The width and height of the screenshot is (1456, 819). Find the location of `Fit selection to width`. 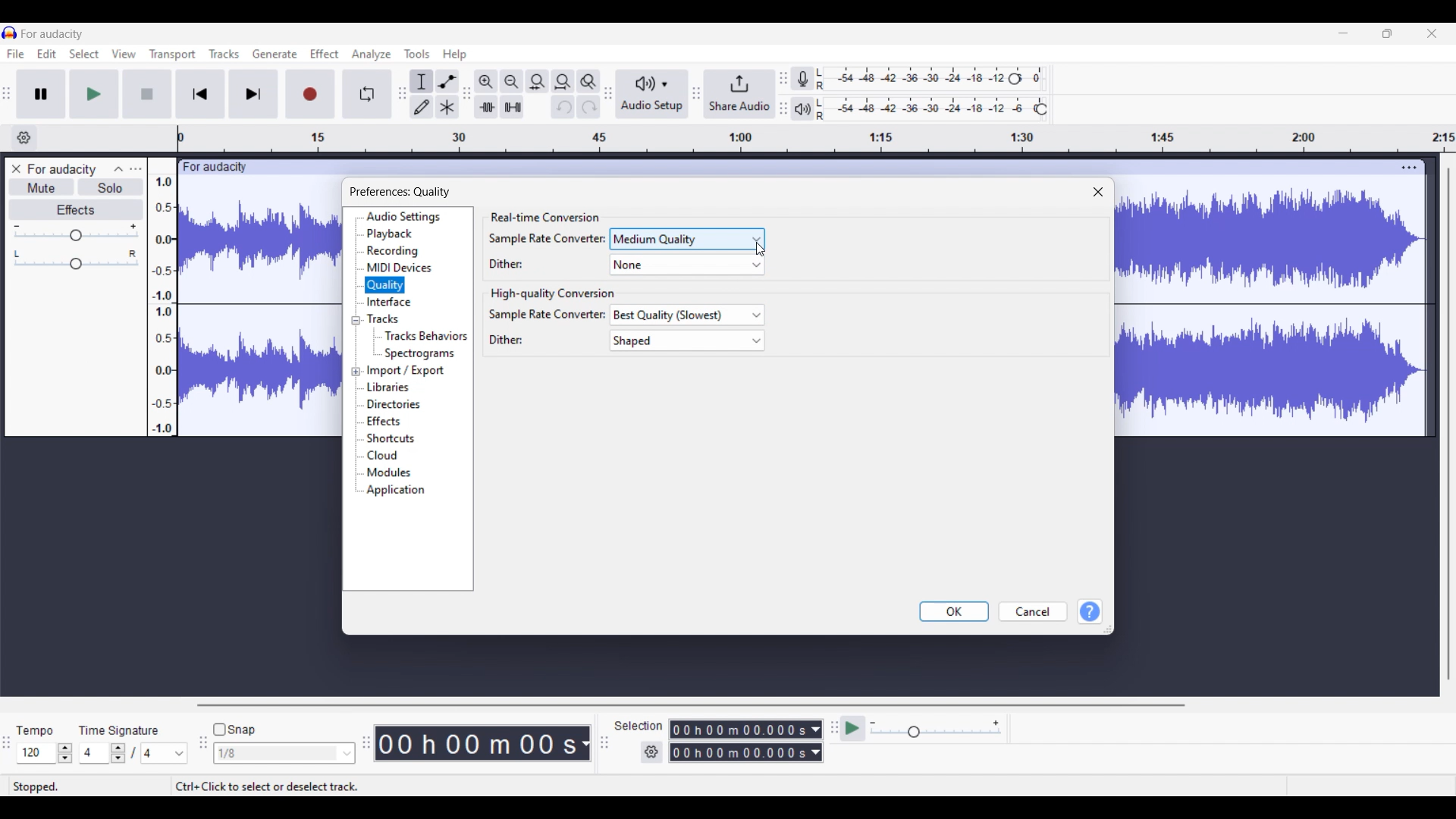

Fit selection to width is located at coordinates (537, 81).